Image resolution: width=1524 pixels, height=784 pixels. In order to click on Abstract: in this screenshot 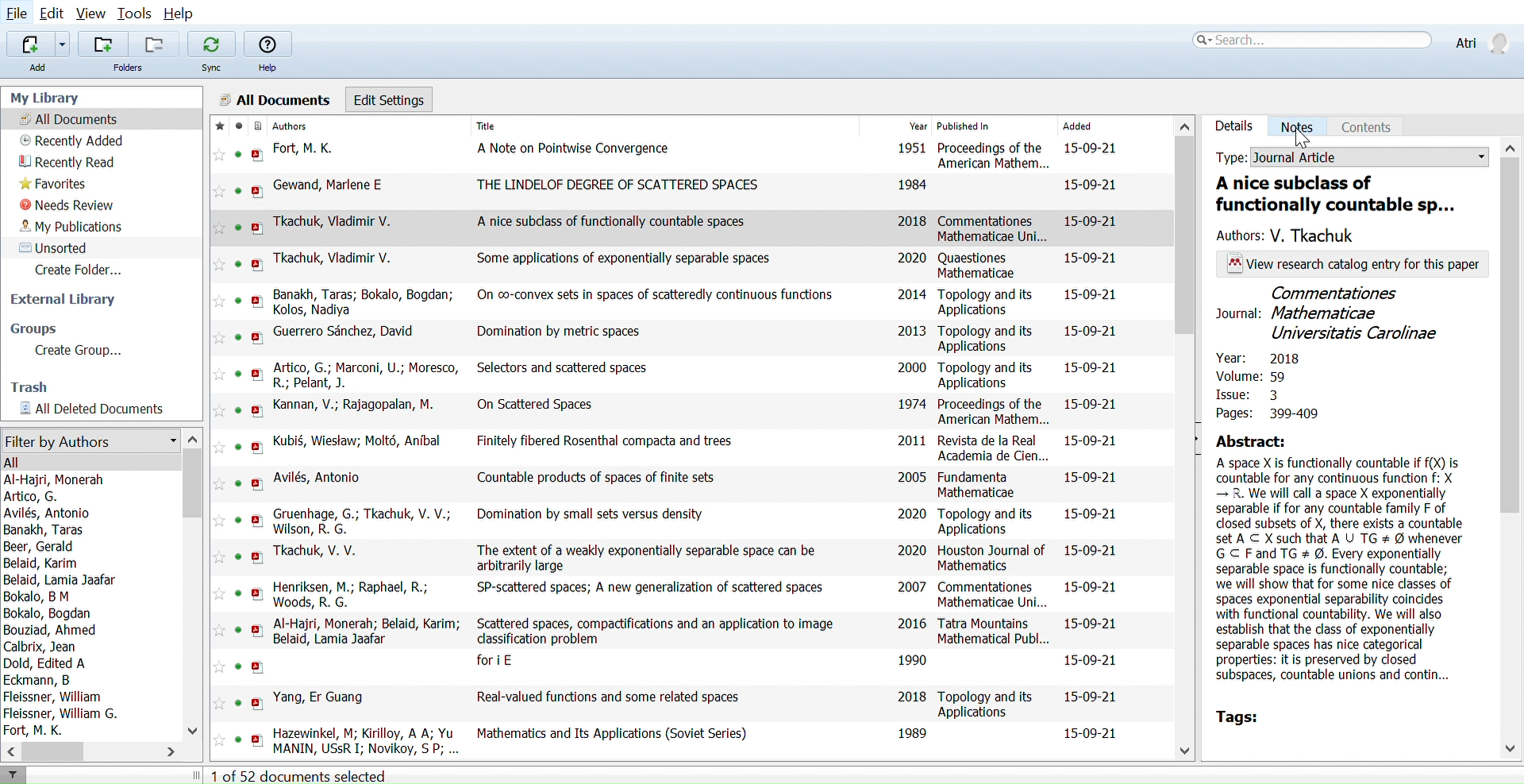, I will do `click(1257, 442)`.